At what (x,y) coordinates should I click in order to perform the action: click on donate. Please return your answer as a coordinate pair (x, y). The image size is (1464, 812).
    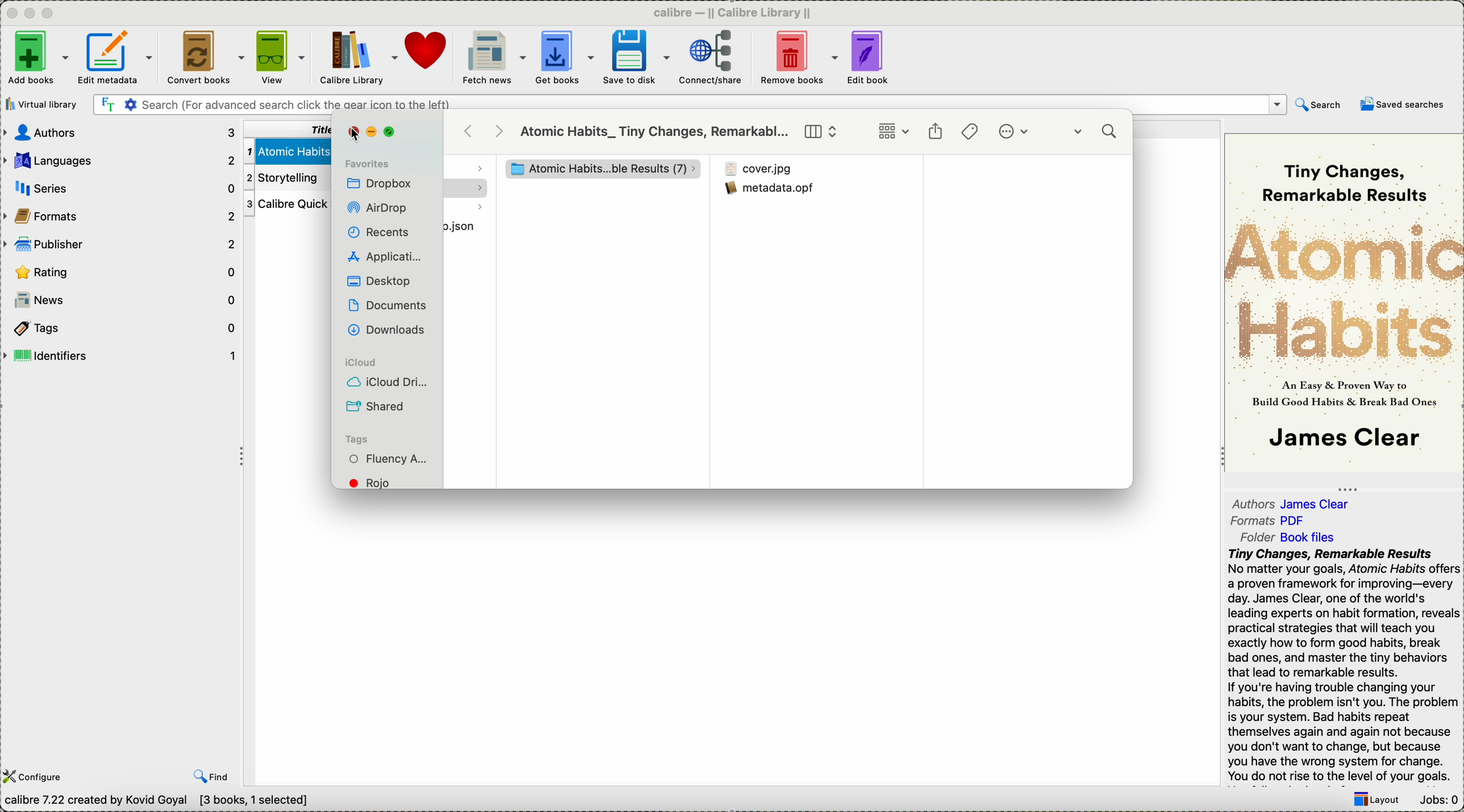
    Looking at the image, I should click on (427, 51).